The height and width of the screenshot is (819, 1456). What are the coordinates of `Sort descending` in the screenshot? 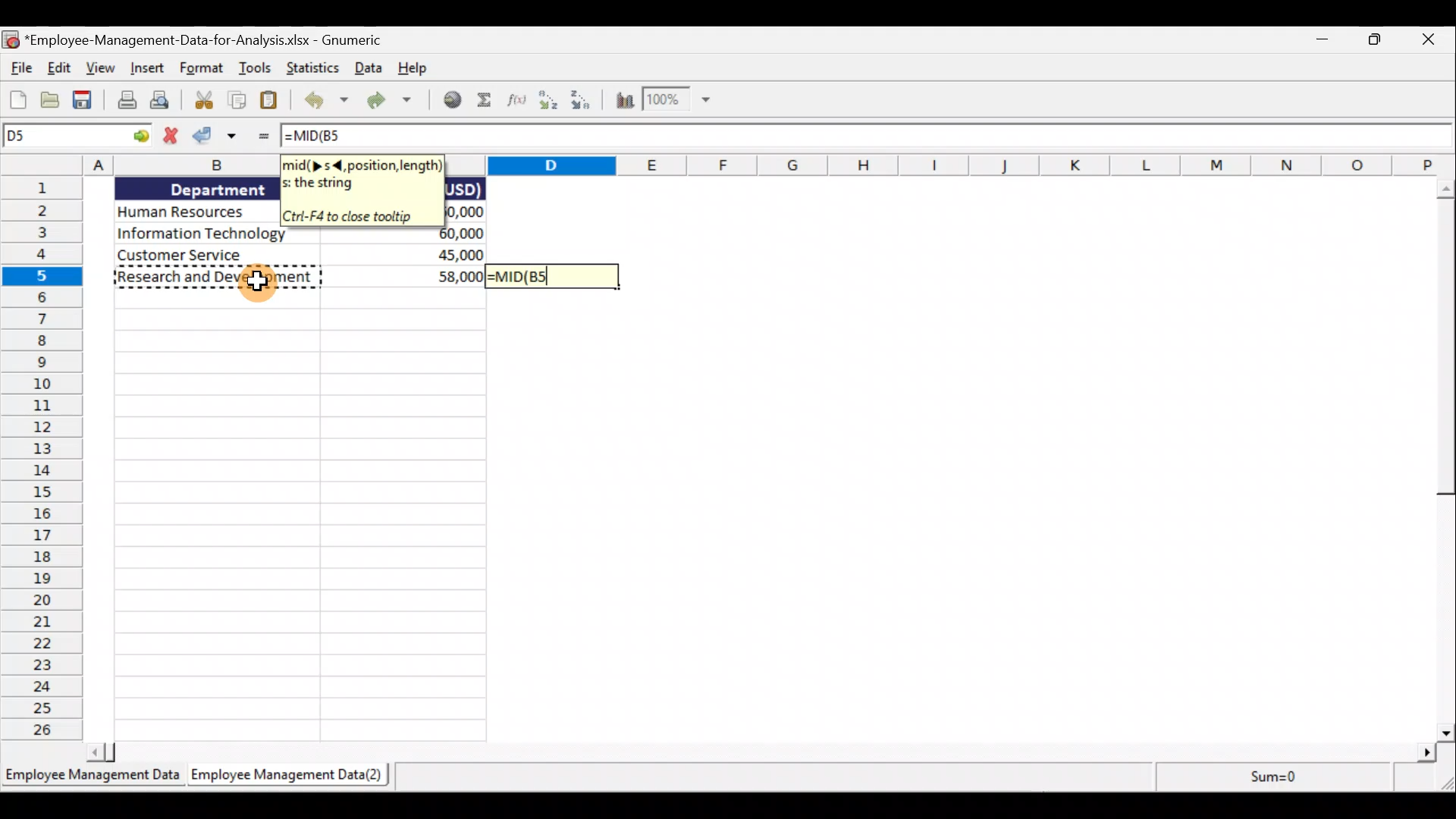 It's located at (588, 103).